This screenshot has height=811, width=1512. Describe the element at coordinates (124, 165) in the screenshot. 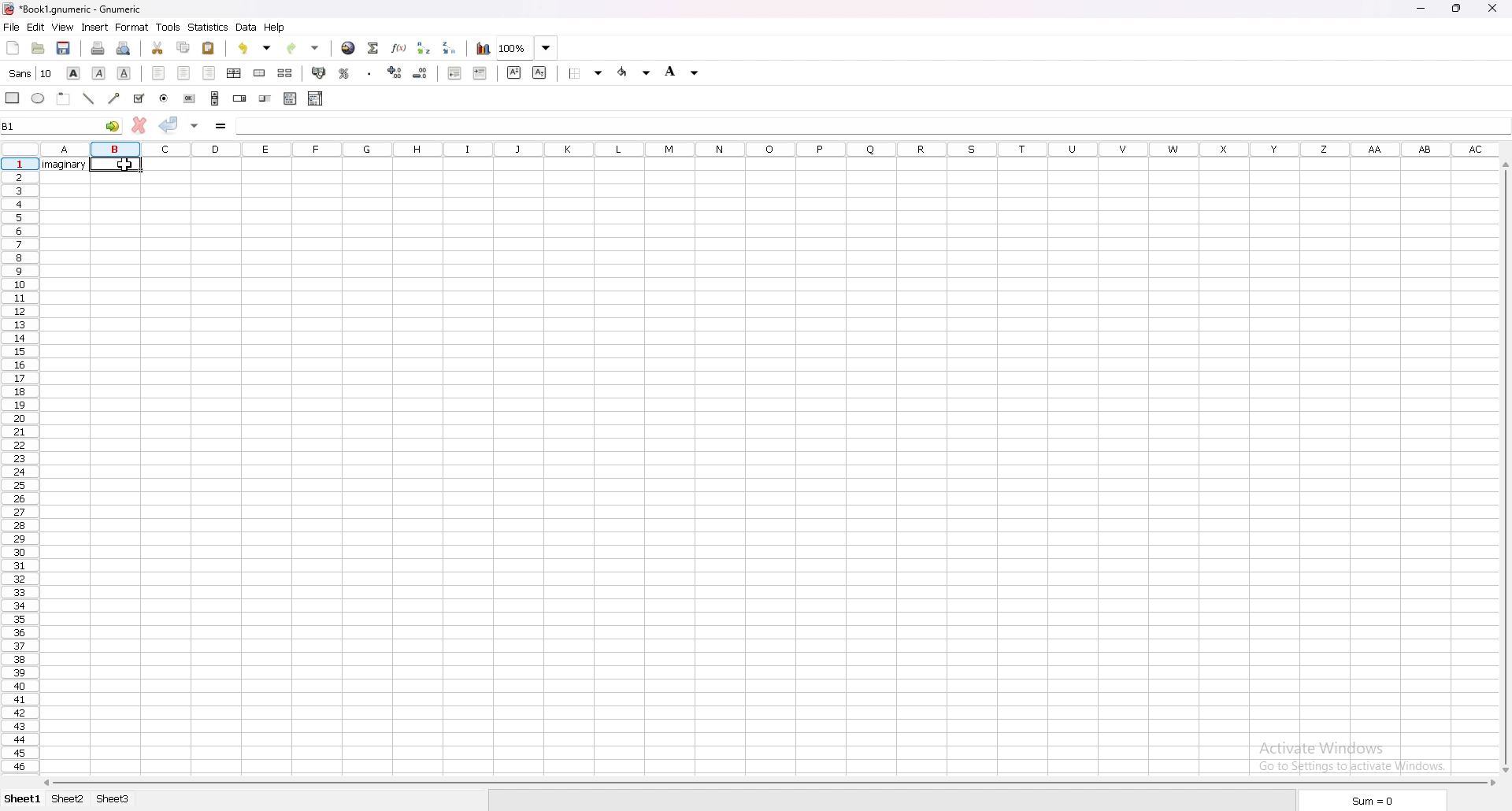

I see `cursor` at that location.